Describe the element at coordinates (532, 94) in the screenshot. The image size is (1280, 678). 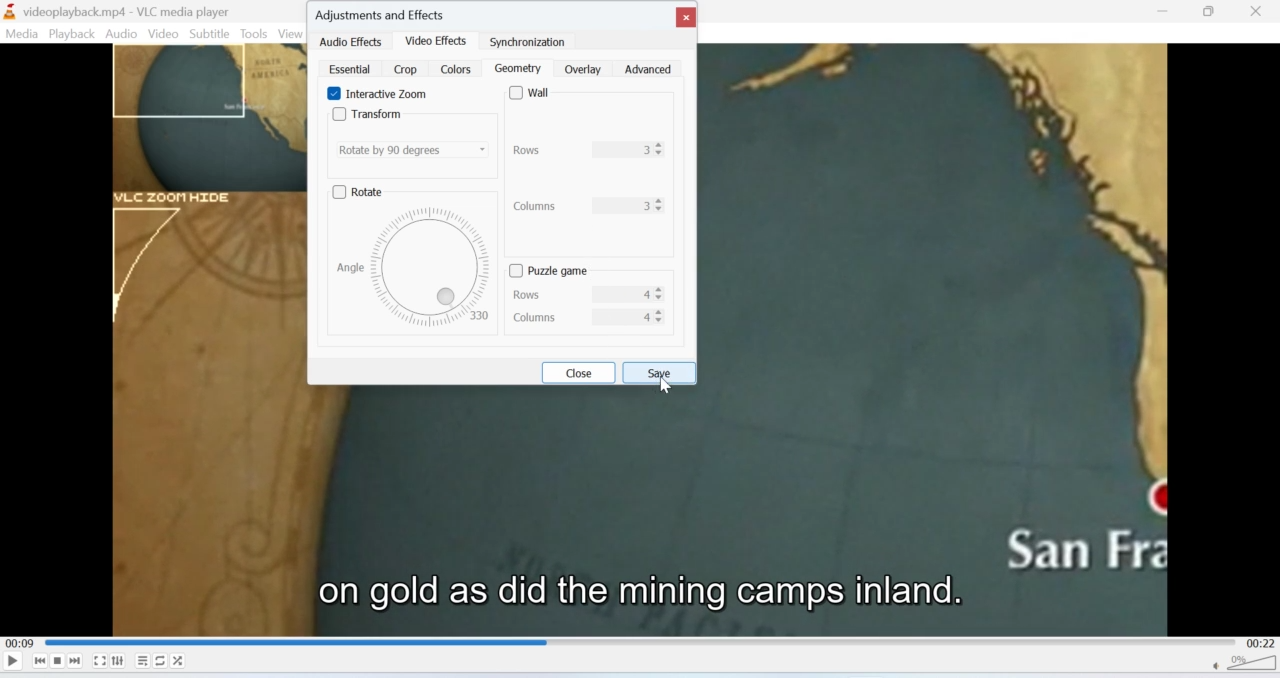
I see `wall` at that location.